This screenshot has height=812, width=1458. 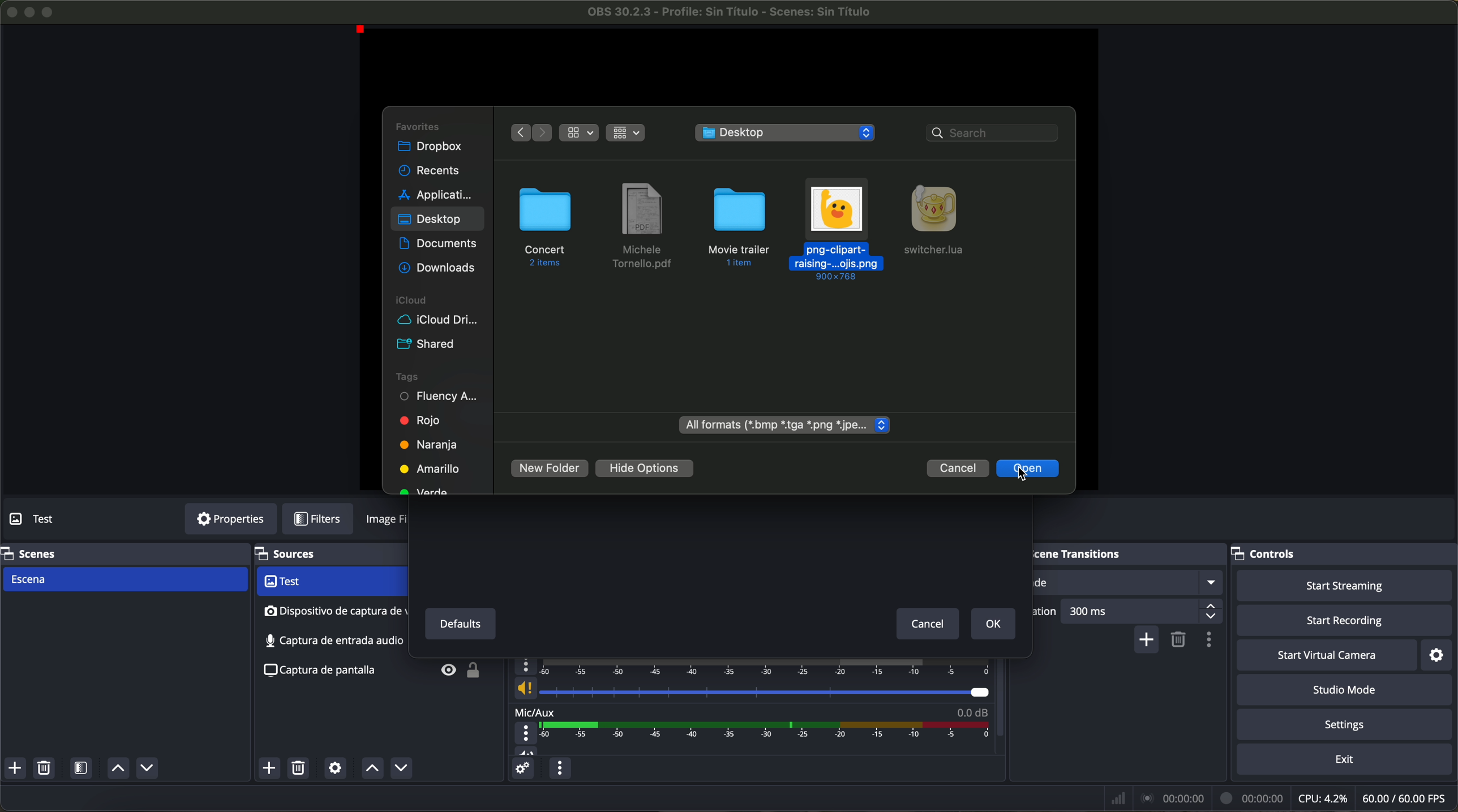 I want to click on scroll down, so click(x=1001, y=689).